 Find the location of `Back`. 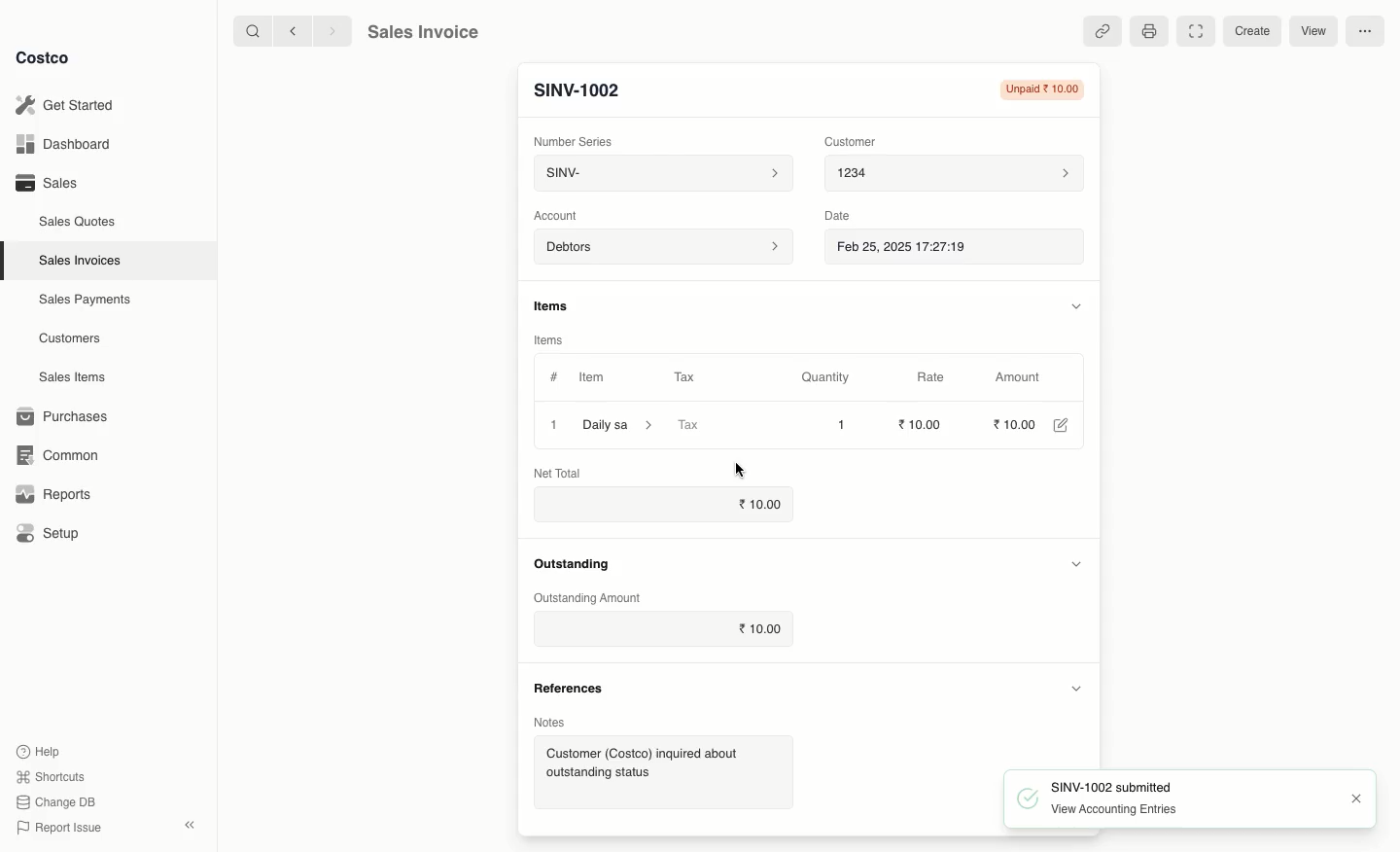

Back is located at coordinates (288, 33).